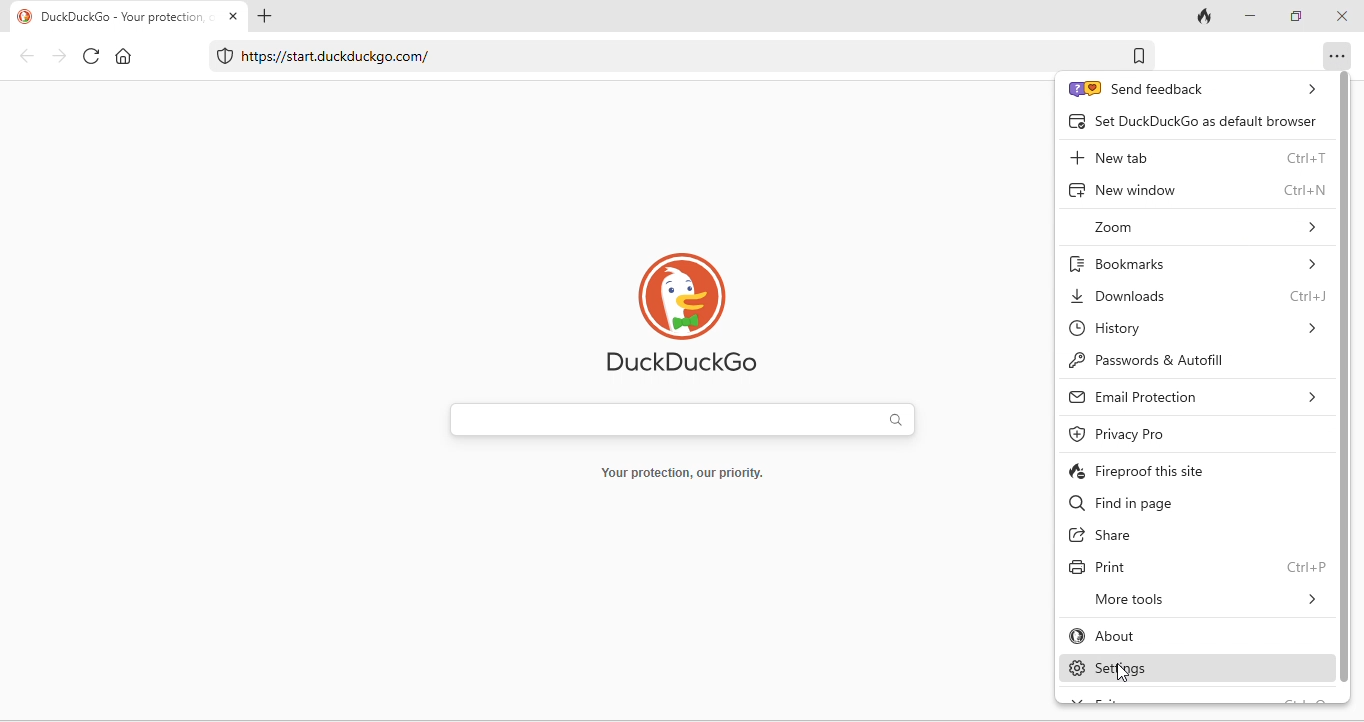 The image size is (1364, 722). What do you see at coordinates (1194, 326) in the screenshot?
I see `history` at bounding box center [1194, 326].